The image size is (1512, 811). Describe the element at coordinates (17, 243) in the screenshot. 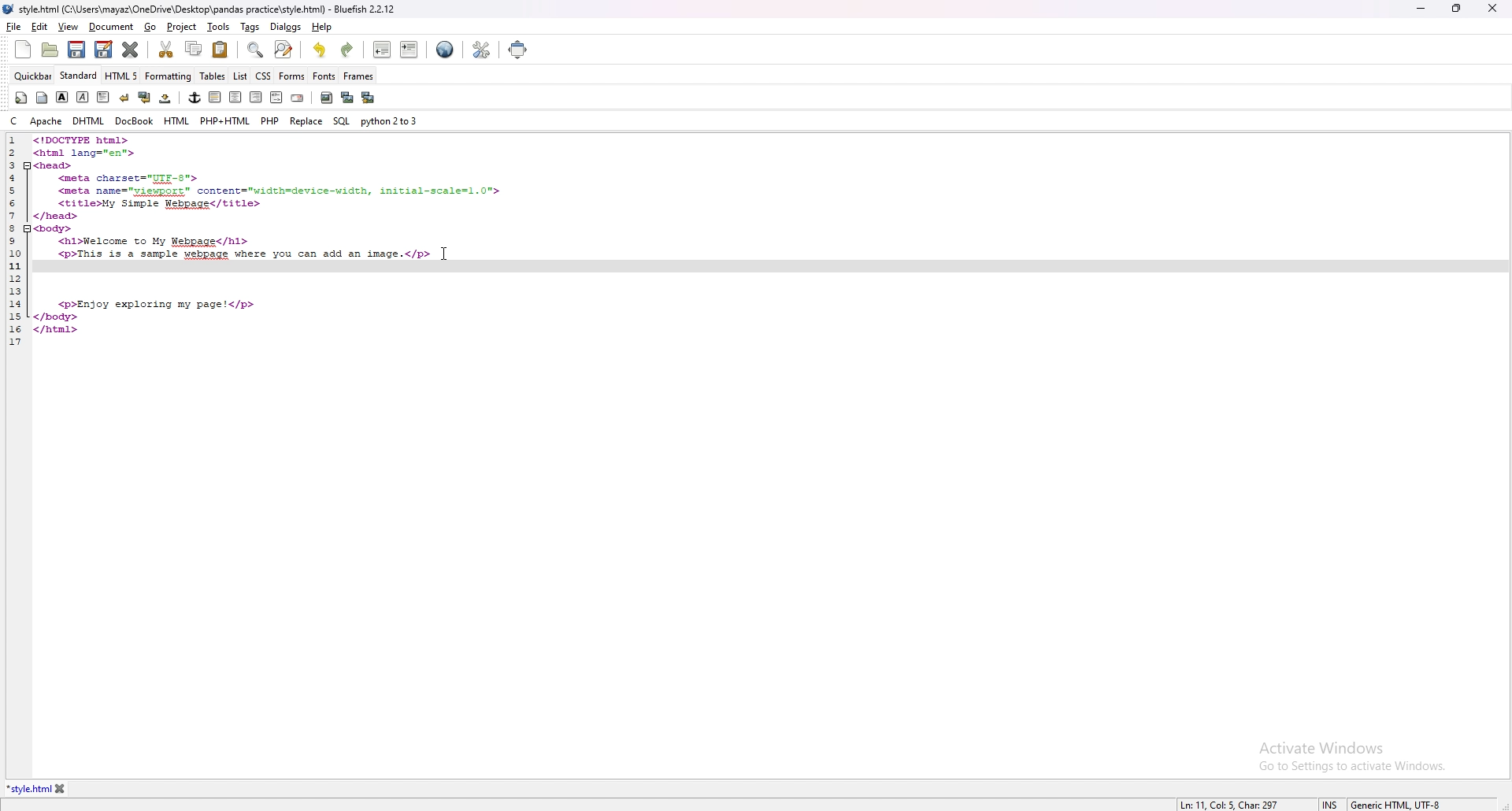

I see `1 2 3 4 5 6 7 8 9 10 11 12 13 14 15 16 17` at that location.